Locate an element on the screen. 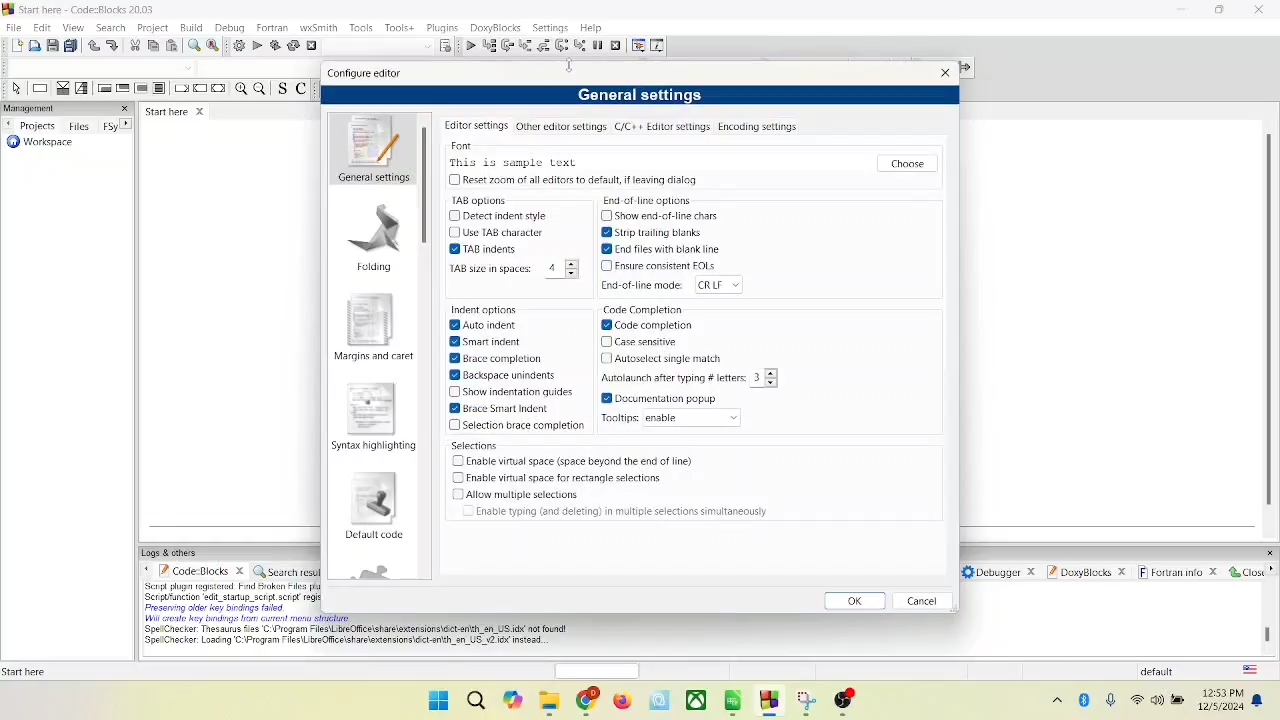 This screenshot has height=720, width=1280. text is located at coordinates (364, 637).